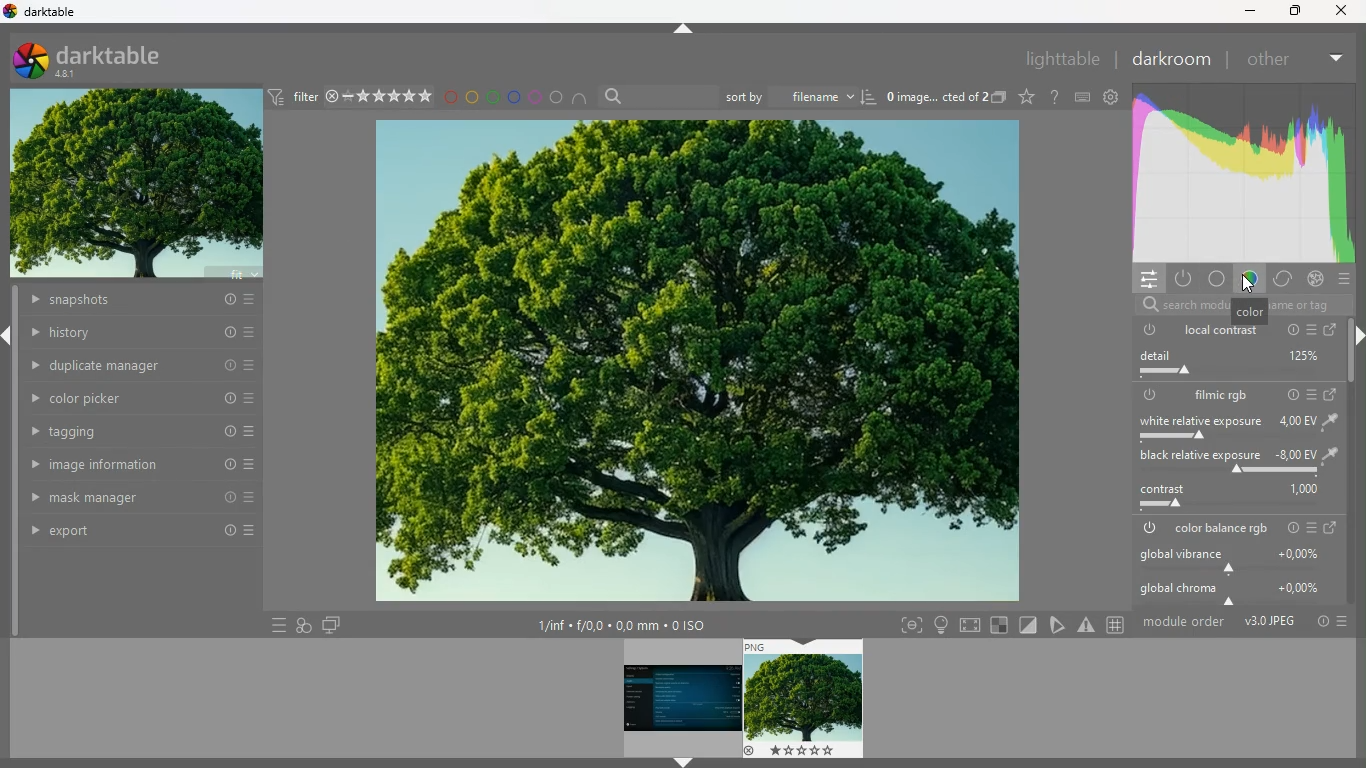 The height and width of the screenshot is (768, 1366). I want to click on less, so click(1333, 55).